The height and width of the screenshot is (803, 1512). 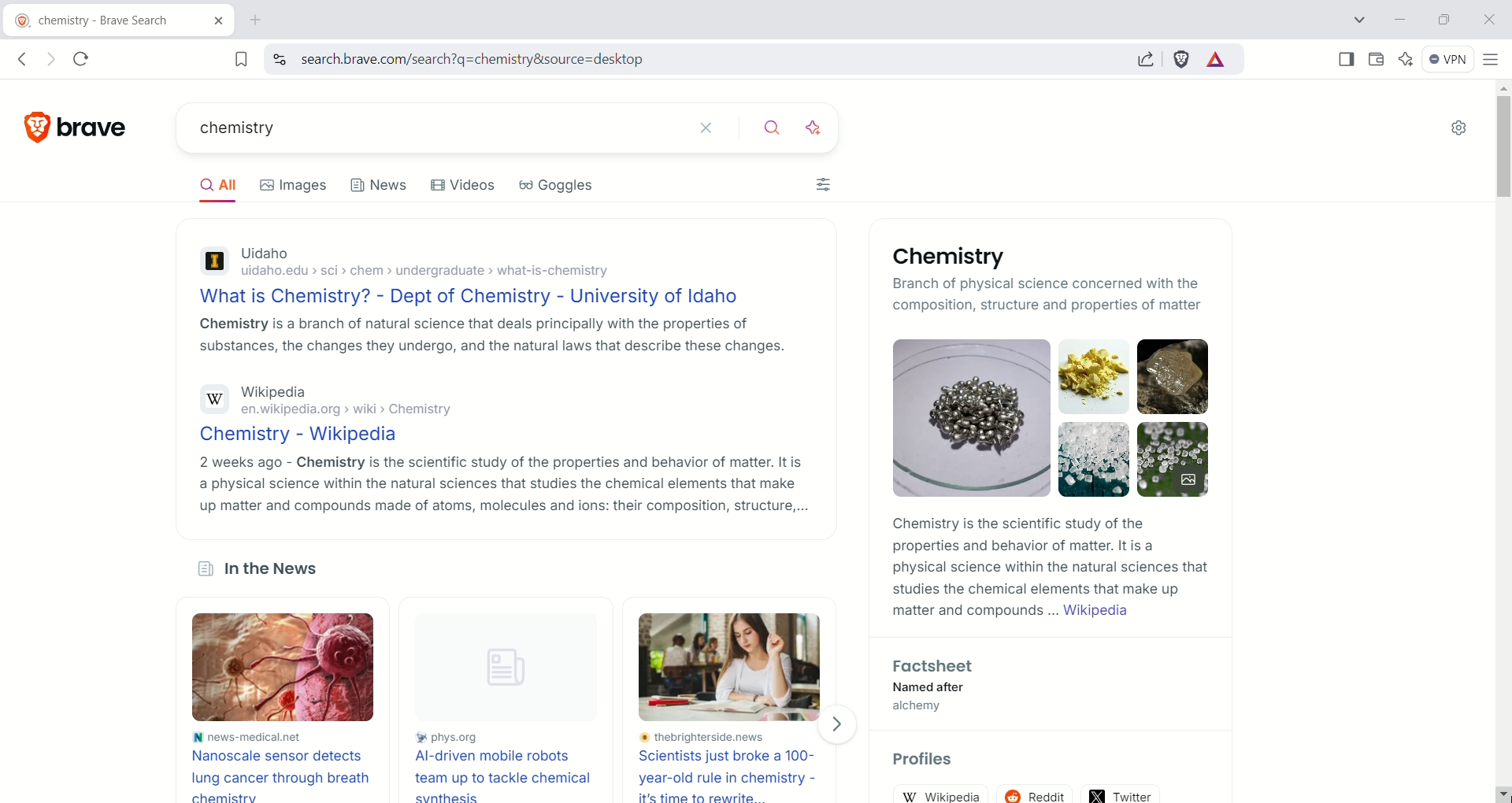 I want to click on Chemistry Is a branch of natural science that deals principally with the properties of
substances, the changes they undergo, and the natural laws that describe these changes., so click(x=491, y=339).